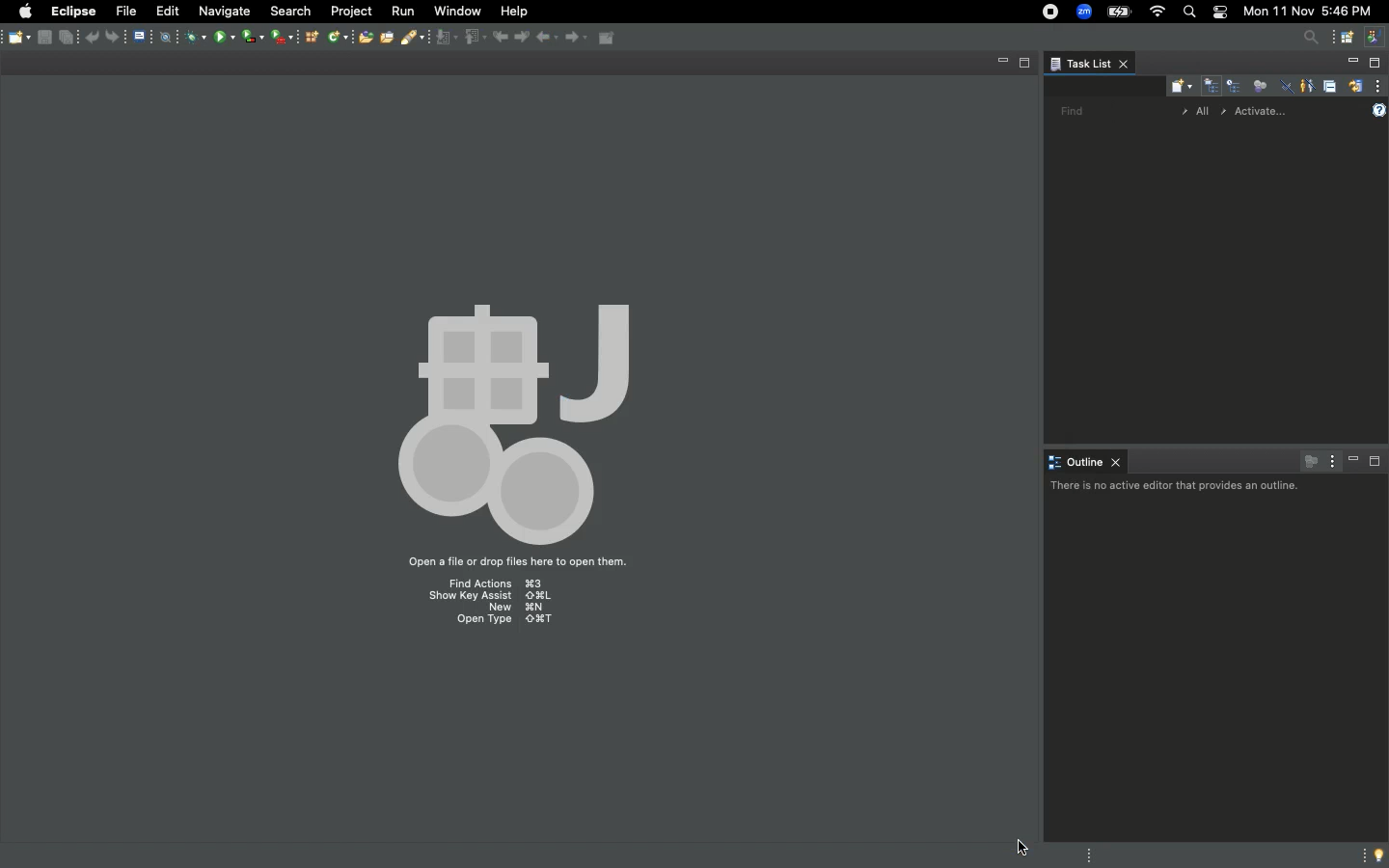  What do you see at coordinates (1197, 112) in the screenshot?
I see `All` at bounding box center [1197, 112].